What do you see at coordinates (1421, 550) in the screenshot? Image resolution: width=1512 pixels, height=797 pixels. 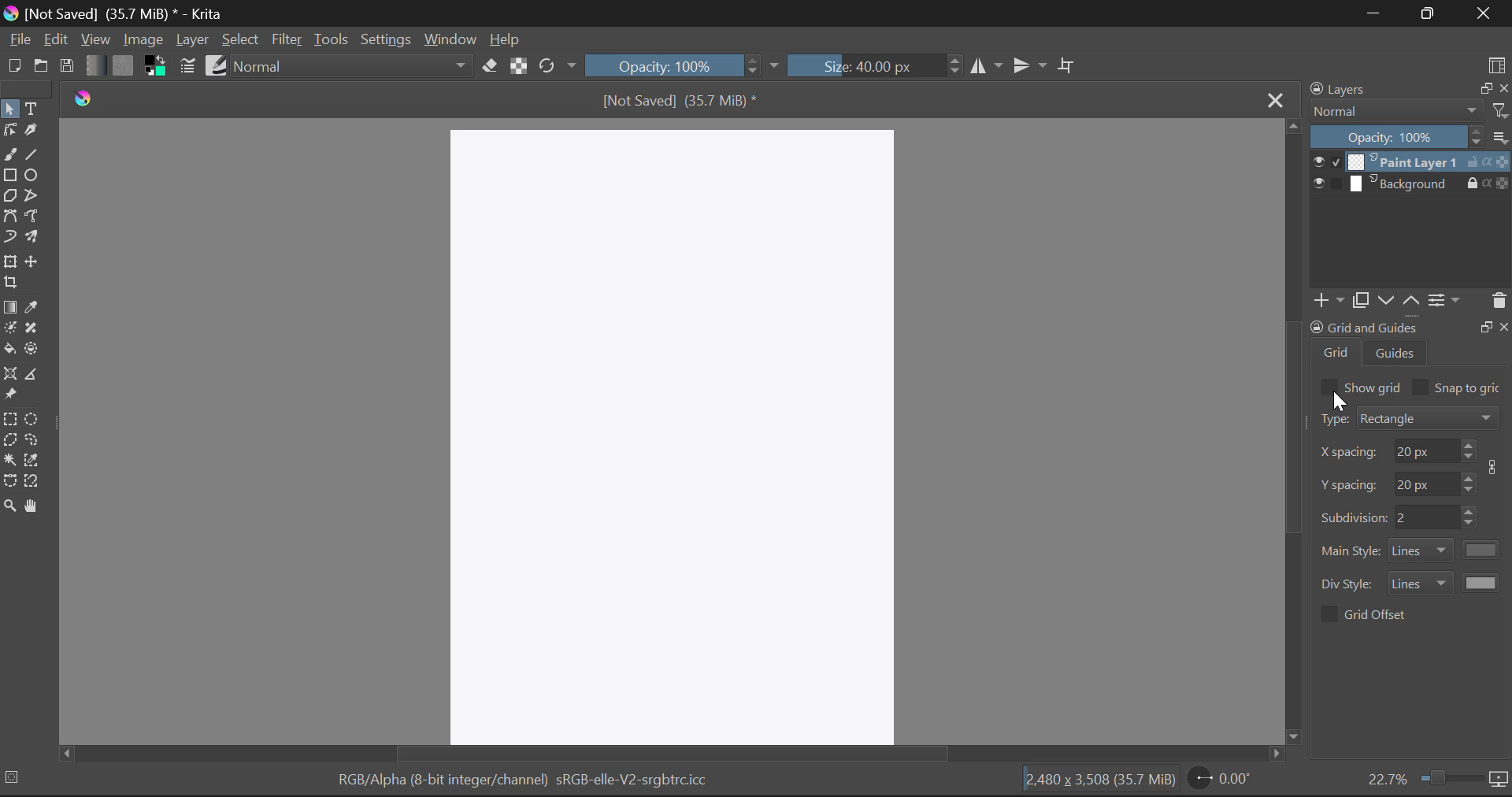 I see `style` at bounding box center [1421, 550].